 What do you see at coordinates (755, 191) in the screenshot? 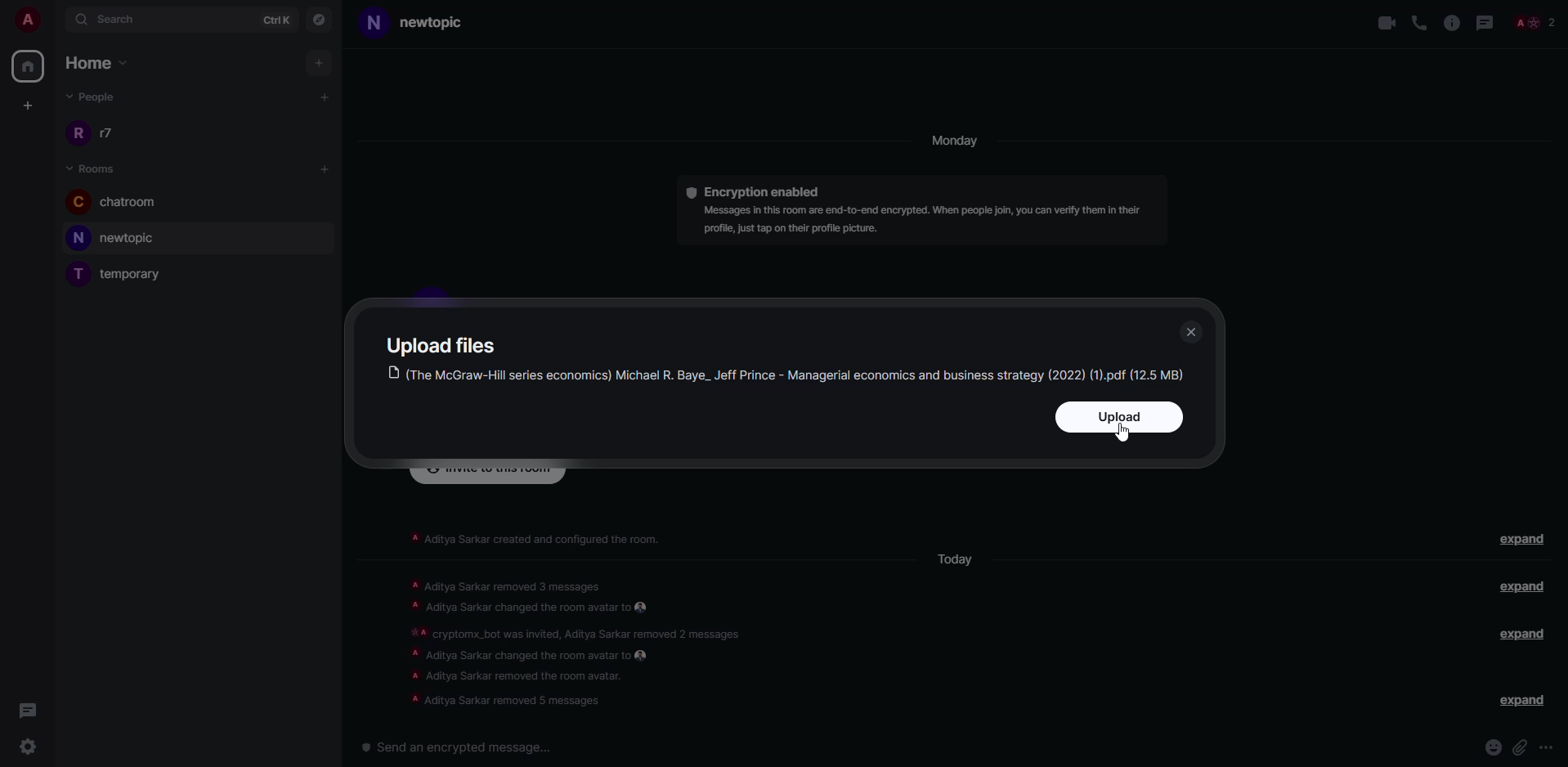
I see `encryption enabled` at bounding box center [755, 191].